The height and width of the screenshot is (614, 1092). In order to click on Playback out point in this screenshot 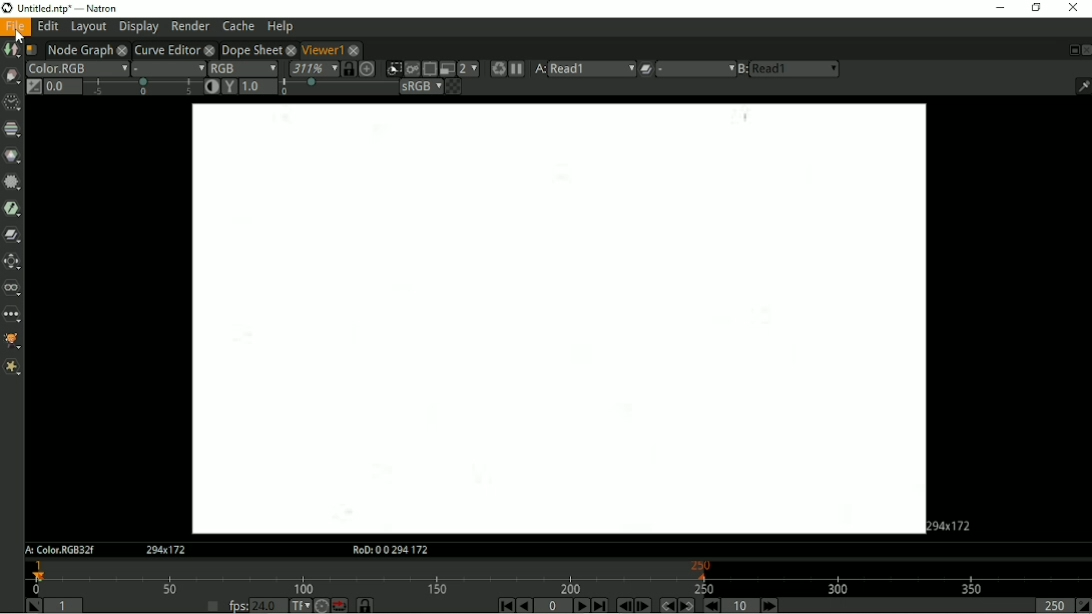, I will do `click(1053, 605)`.